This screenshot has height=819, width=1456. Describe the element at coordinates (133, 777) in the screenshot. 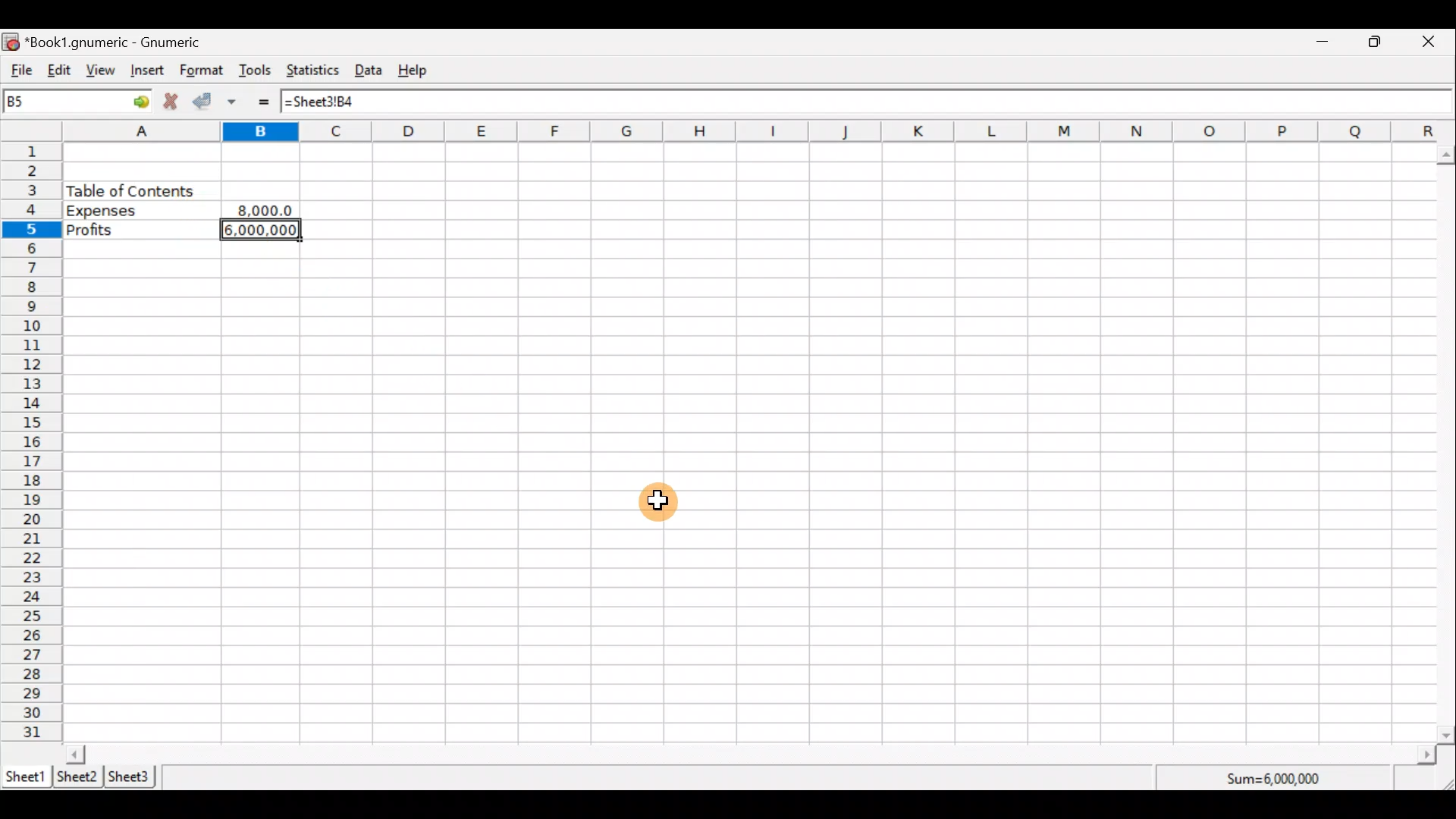

I see `Sheet 3` at that location.